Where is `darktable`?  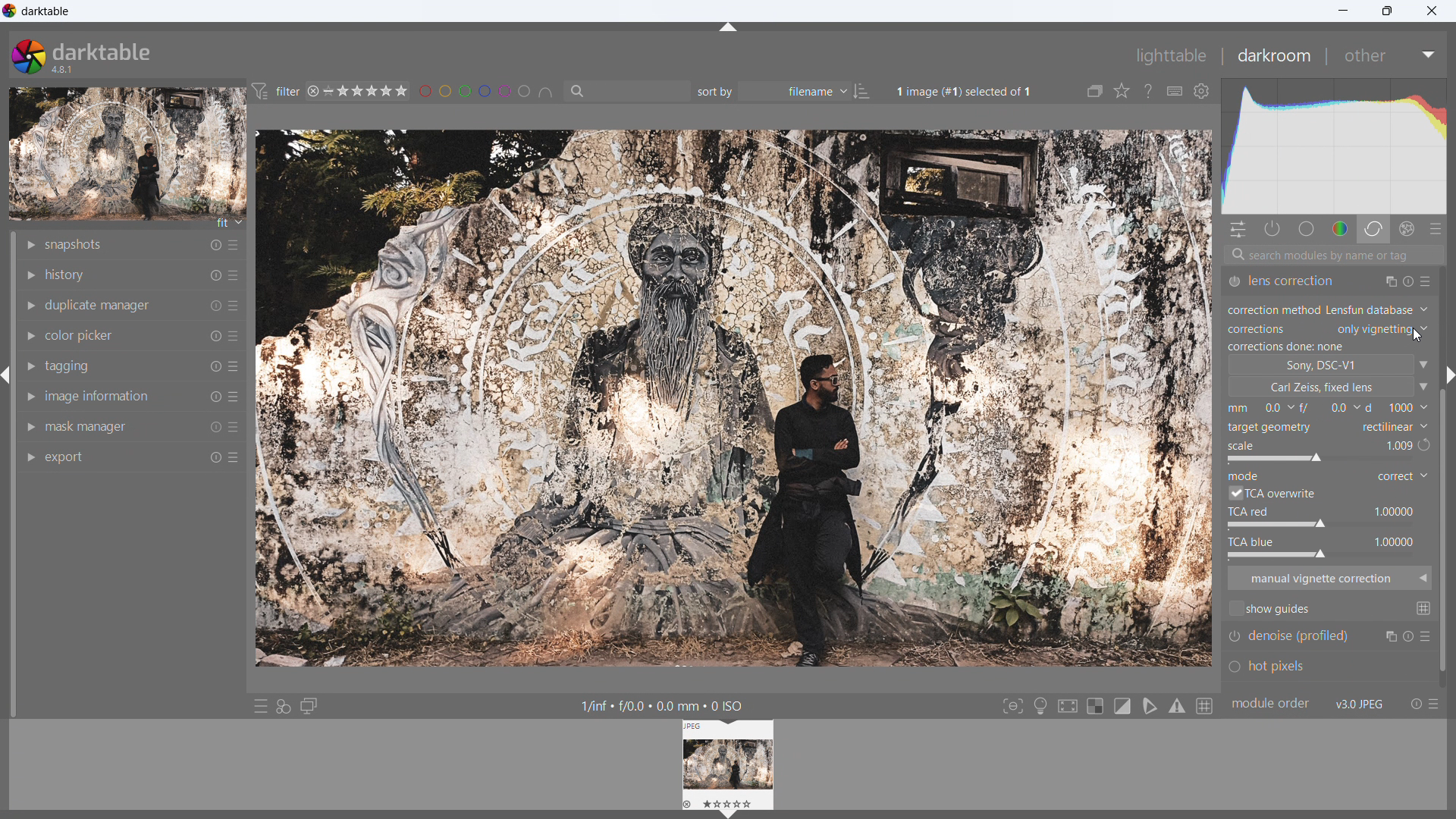
darktable is located at coordinates (103, 51).